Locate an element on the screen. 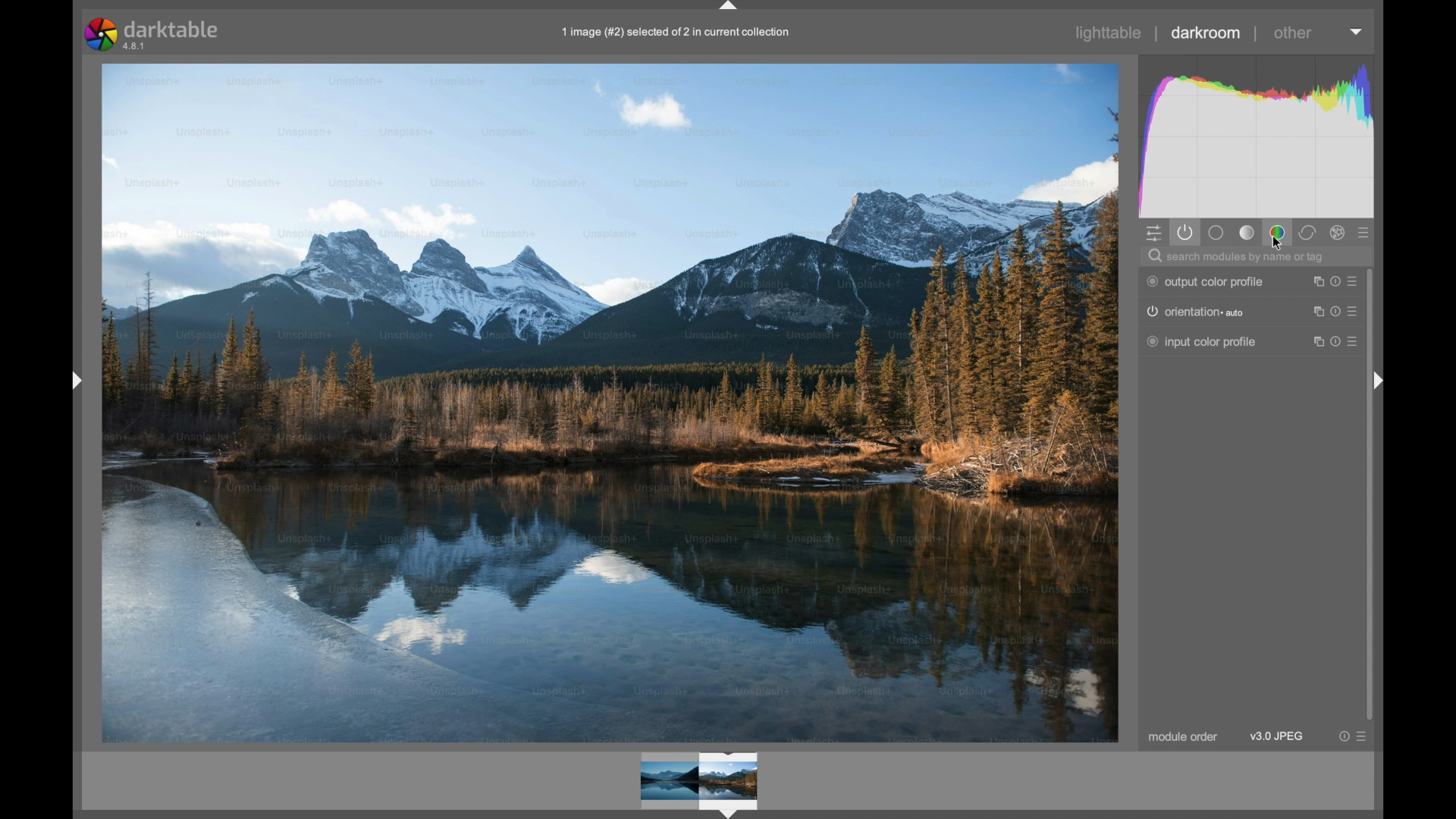  preview is located at coordinates (701, 783).